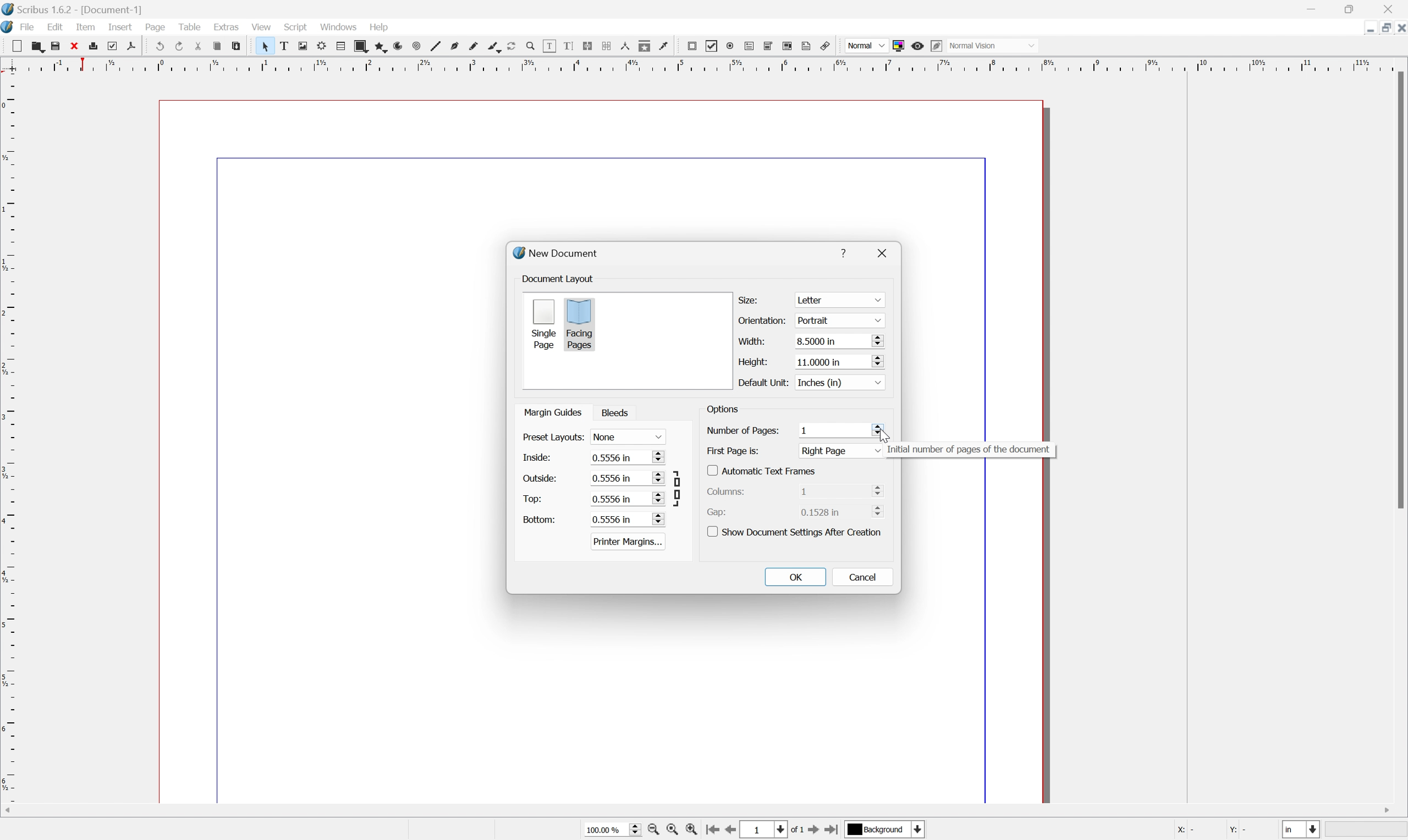 The width and height of the screenshot is (1408, 840). I want to click on 0.1528 in, so click(844, 513).